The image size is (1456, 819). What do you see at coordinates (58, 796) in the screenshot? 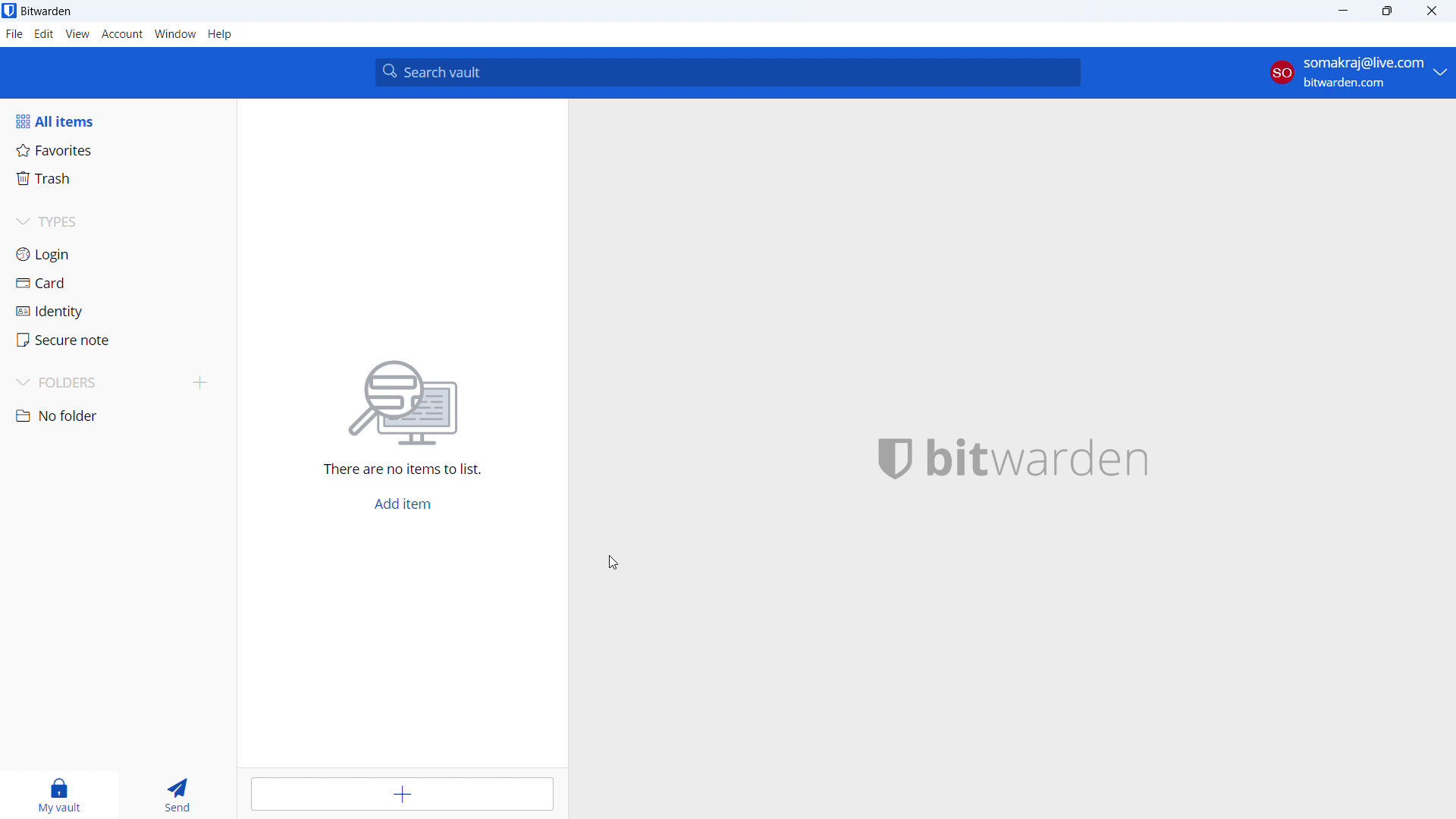
I see `my vault` at bounding box center [58, 796].